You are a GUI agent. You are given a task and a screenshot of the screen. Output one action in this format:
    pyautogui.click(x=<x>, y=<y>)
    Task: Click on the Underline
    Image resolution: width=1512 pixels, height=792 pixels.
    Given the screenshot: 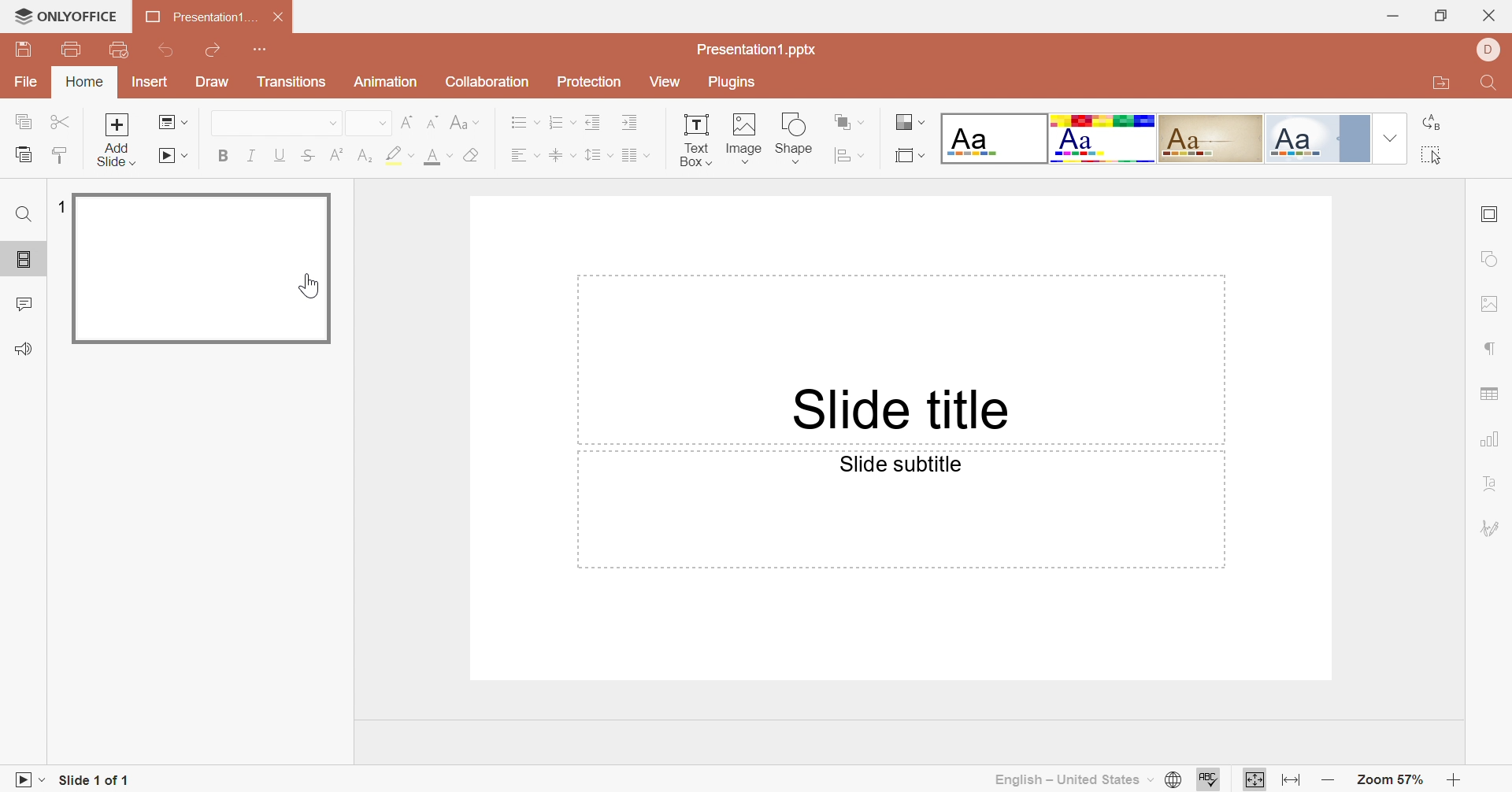 What is the action you would take?
    pyautogui.click(x=279, y=155)
    